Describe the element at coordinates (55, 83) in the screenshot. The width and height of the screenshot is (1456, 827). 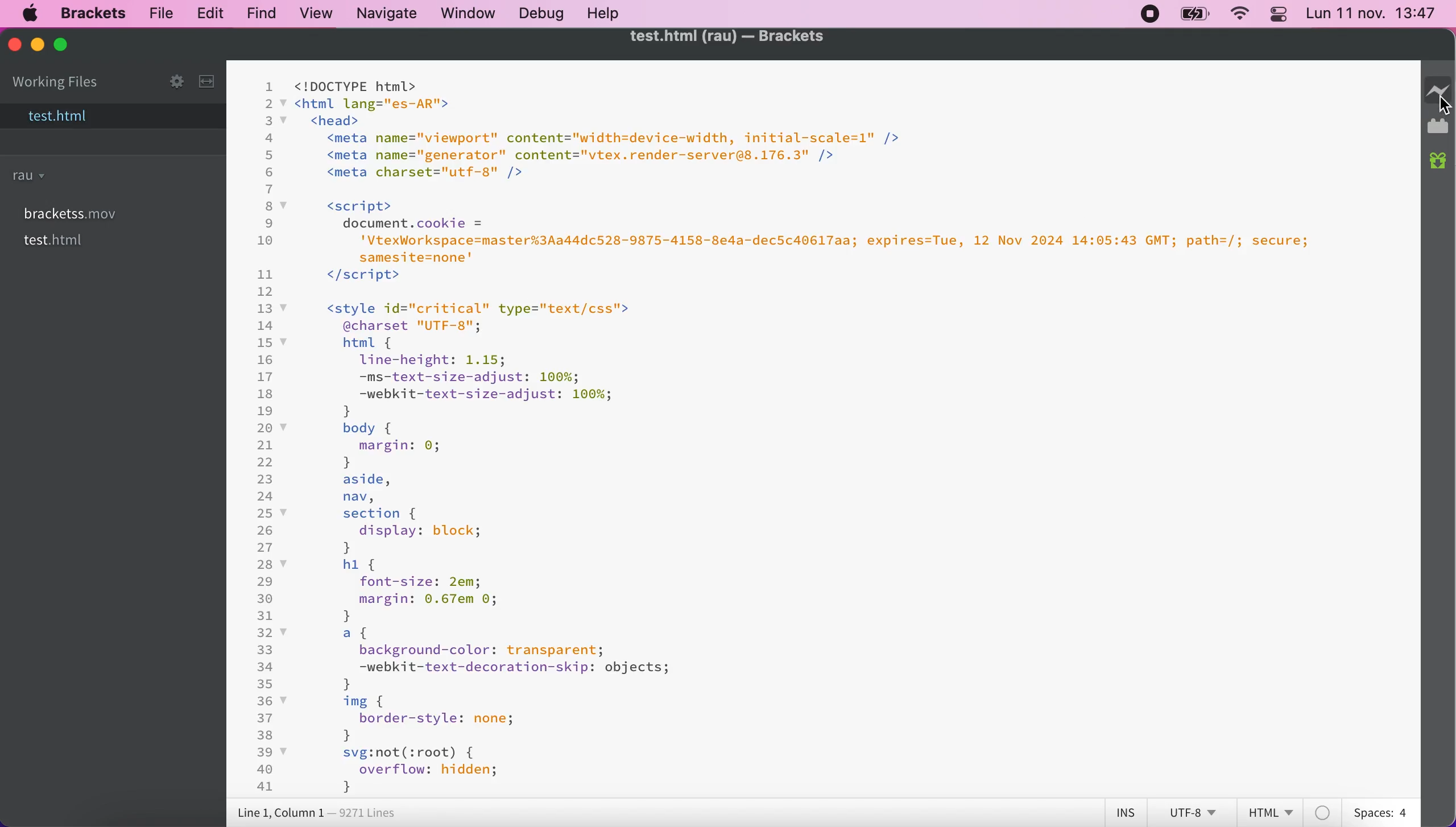
I see `working files` at that location.